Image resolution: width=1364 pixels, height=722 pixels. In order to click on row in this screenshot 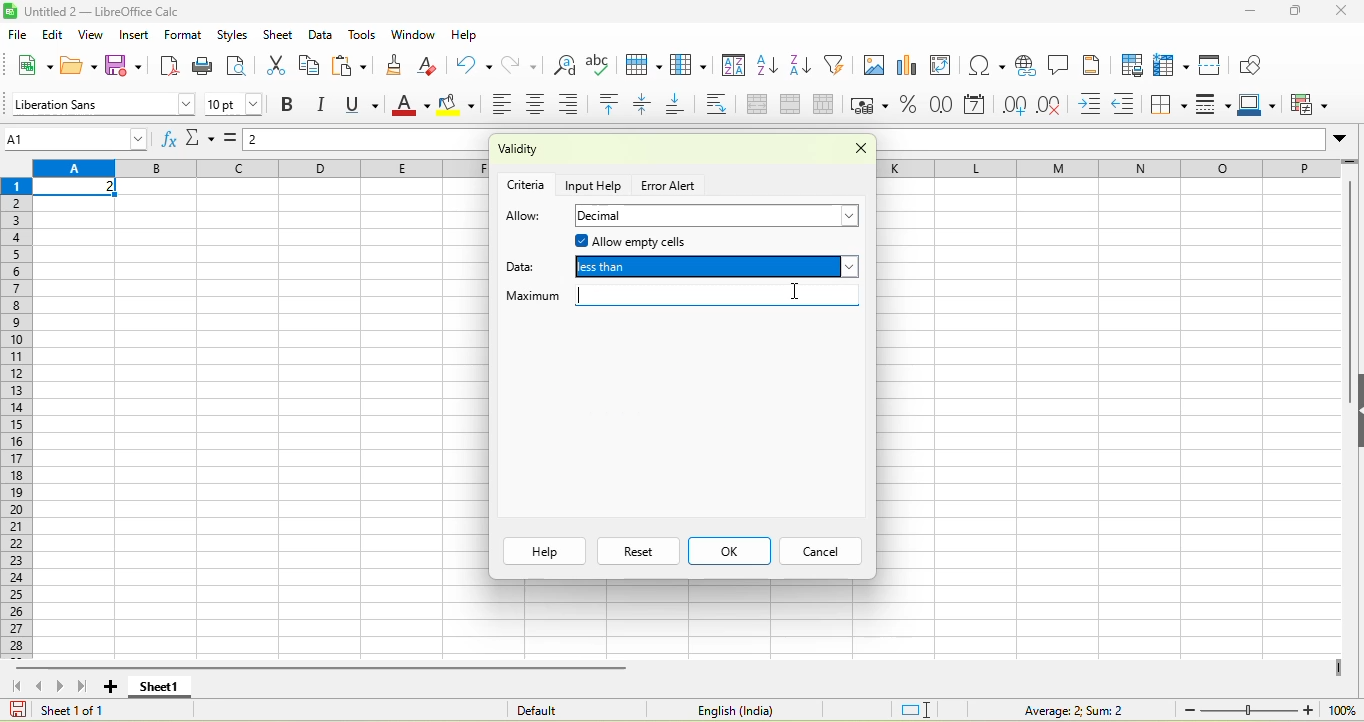, I will do `click(1108, 168)`.